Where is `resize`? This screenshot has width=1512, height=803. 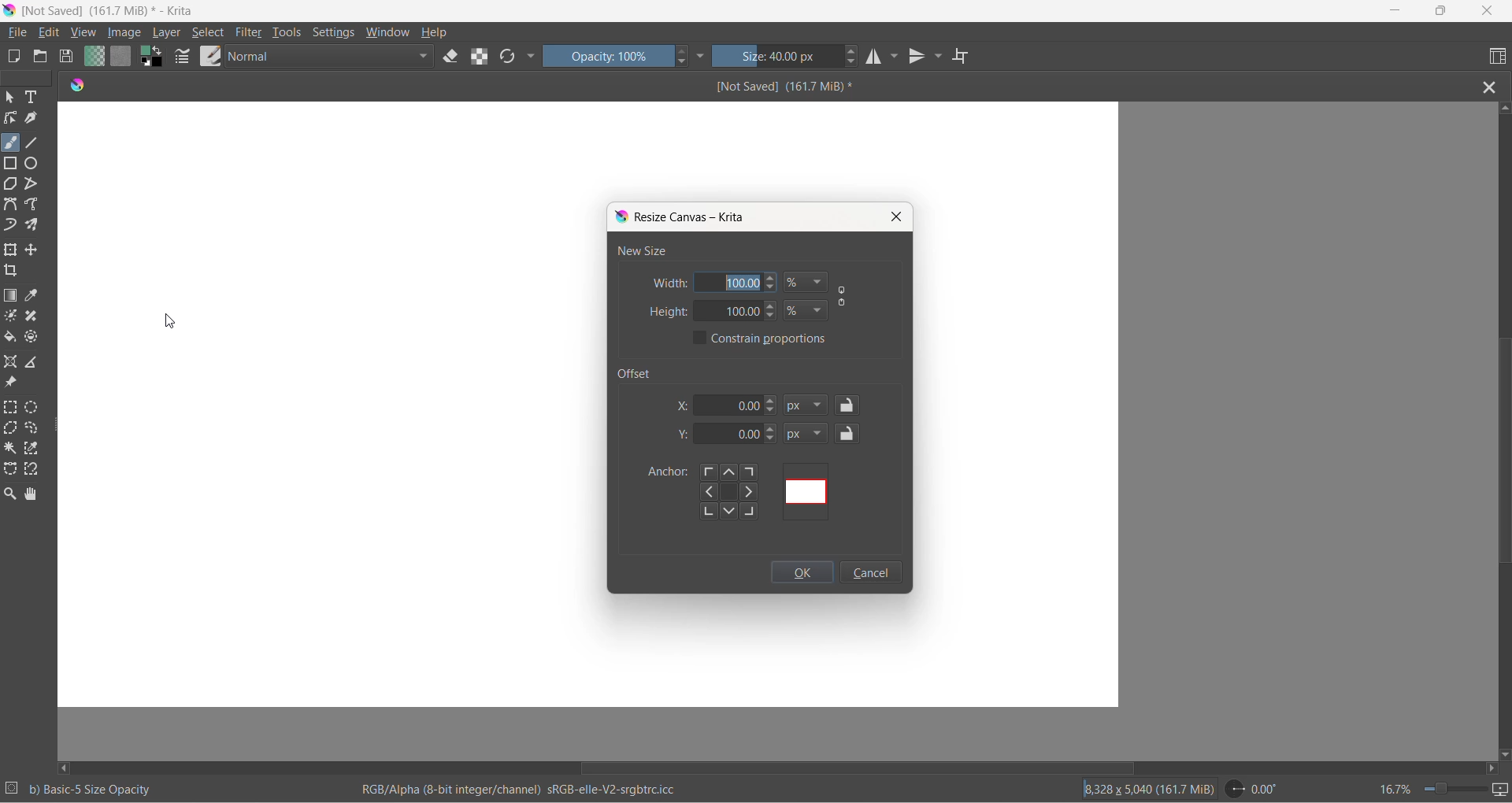
resize is located at coordinates (58, 428).